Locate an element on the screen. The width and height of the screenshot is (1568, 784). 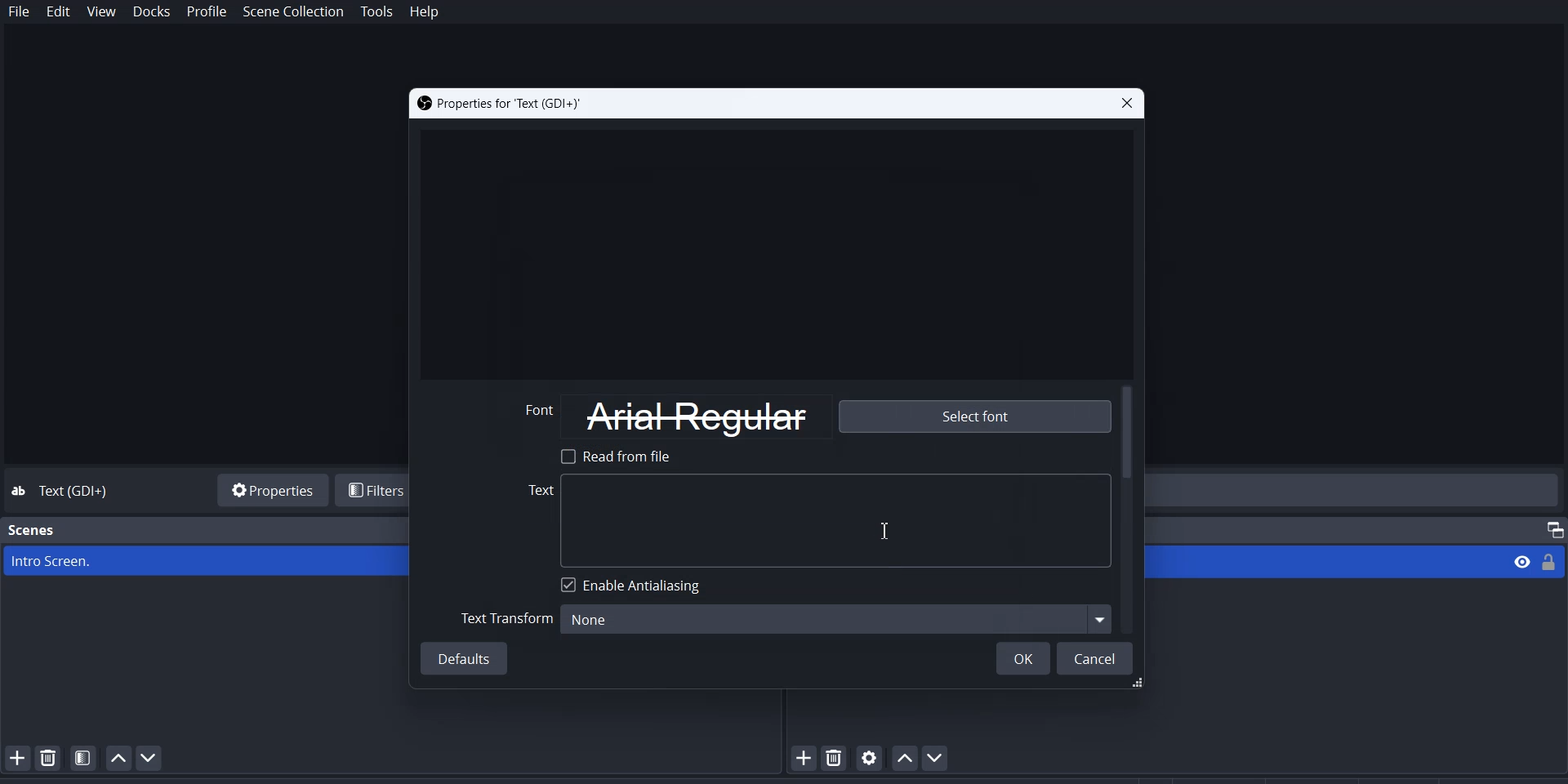
Move Source Down is located at coordinates (938, 757).